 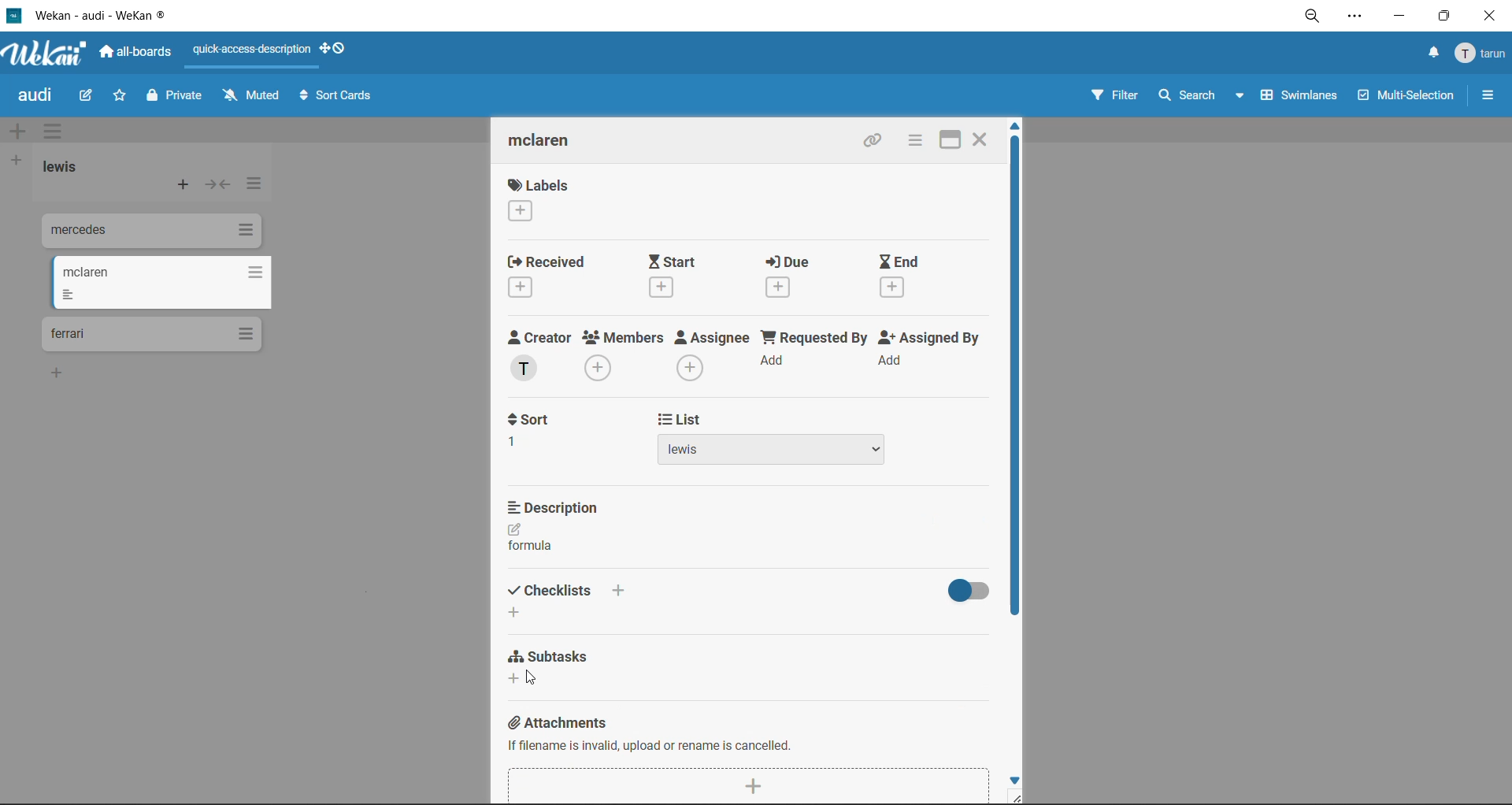 What do you see at coordinates (876, 142) in the screenshot?
I see `copy link` at bounding box center [876, 142].